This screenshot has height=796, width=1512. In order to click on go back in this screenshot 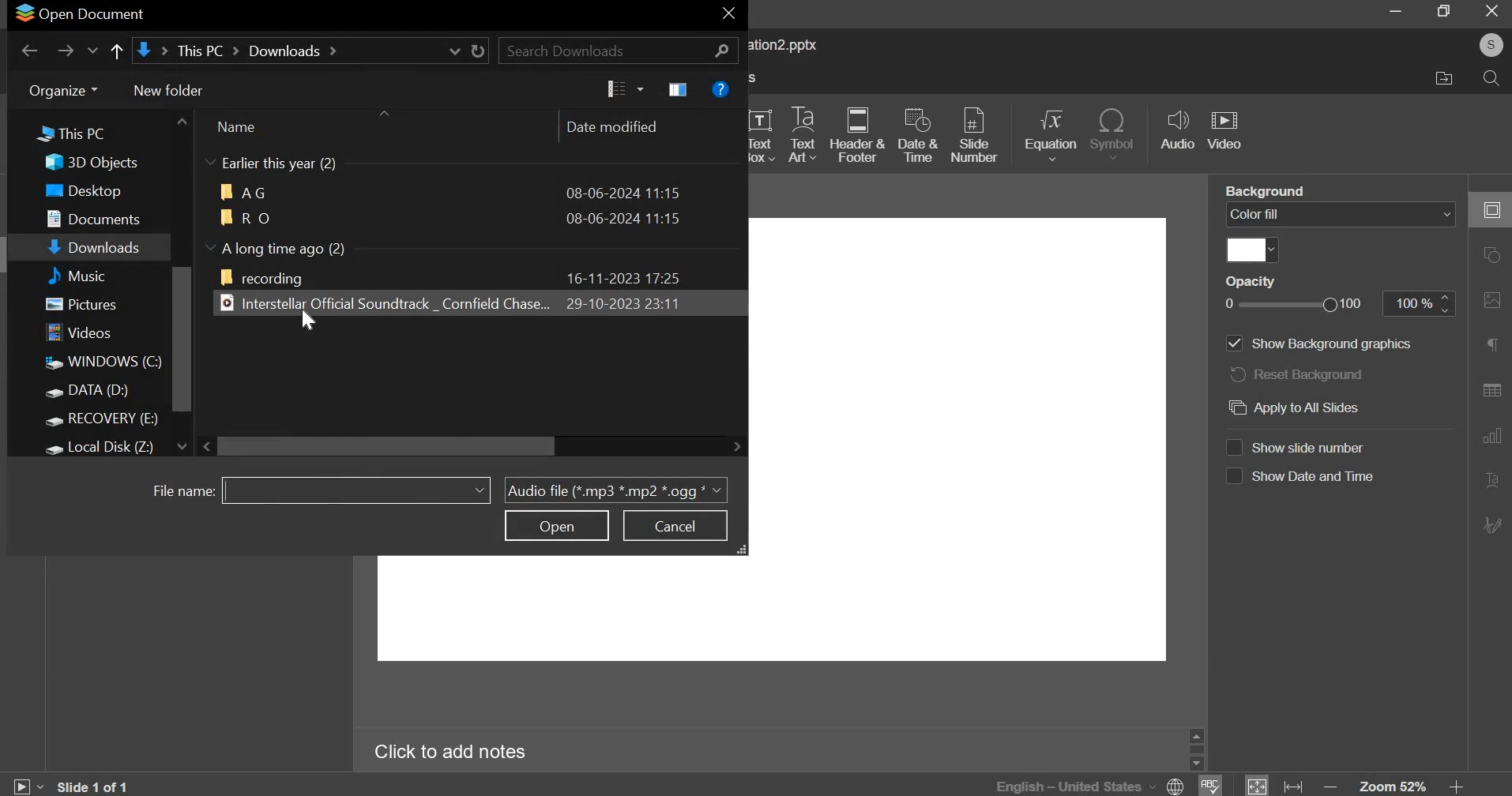, I will do `click(28, 47)`.